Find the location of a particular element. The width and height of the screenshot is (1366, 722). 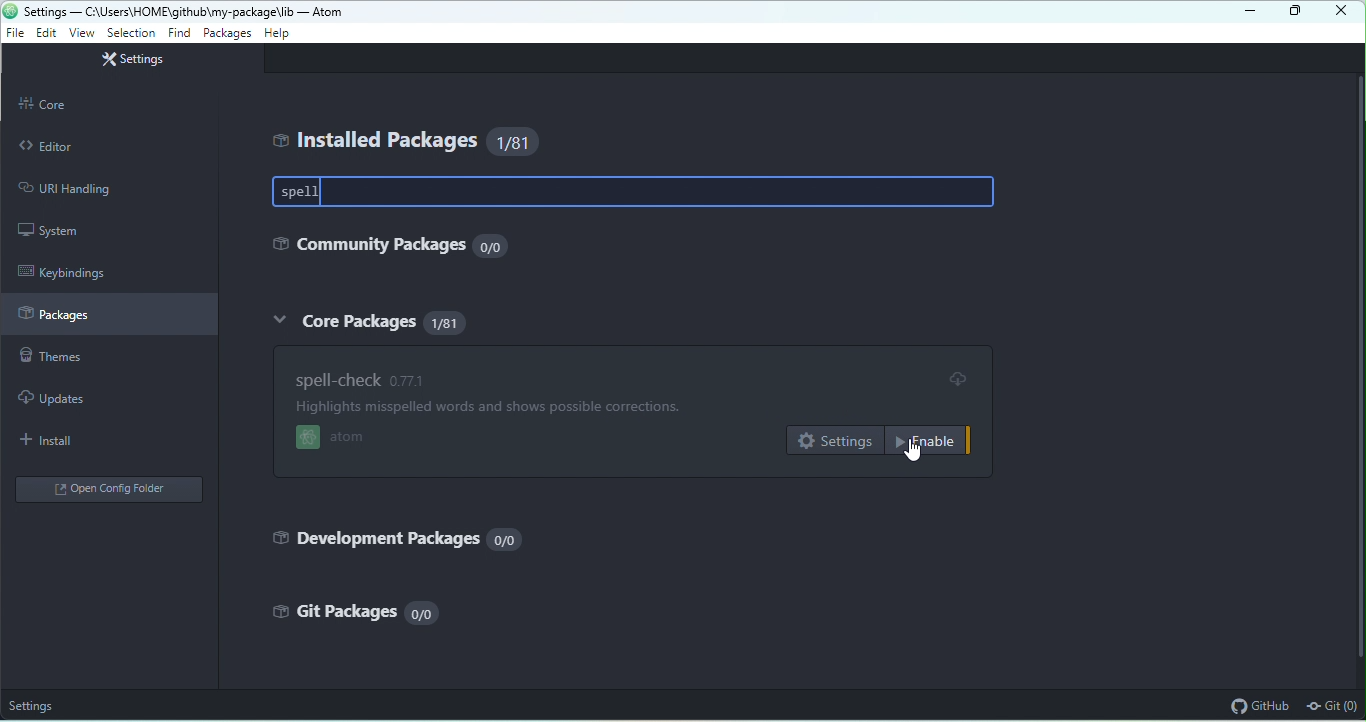

core packages is located at coordinates (342, 320).